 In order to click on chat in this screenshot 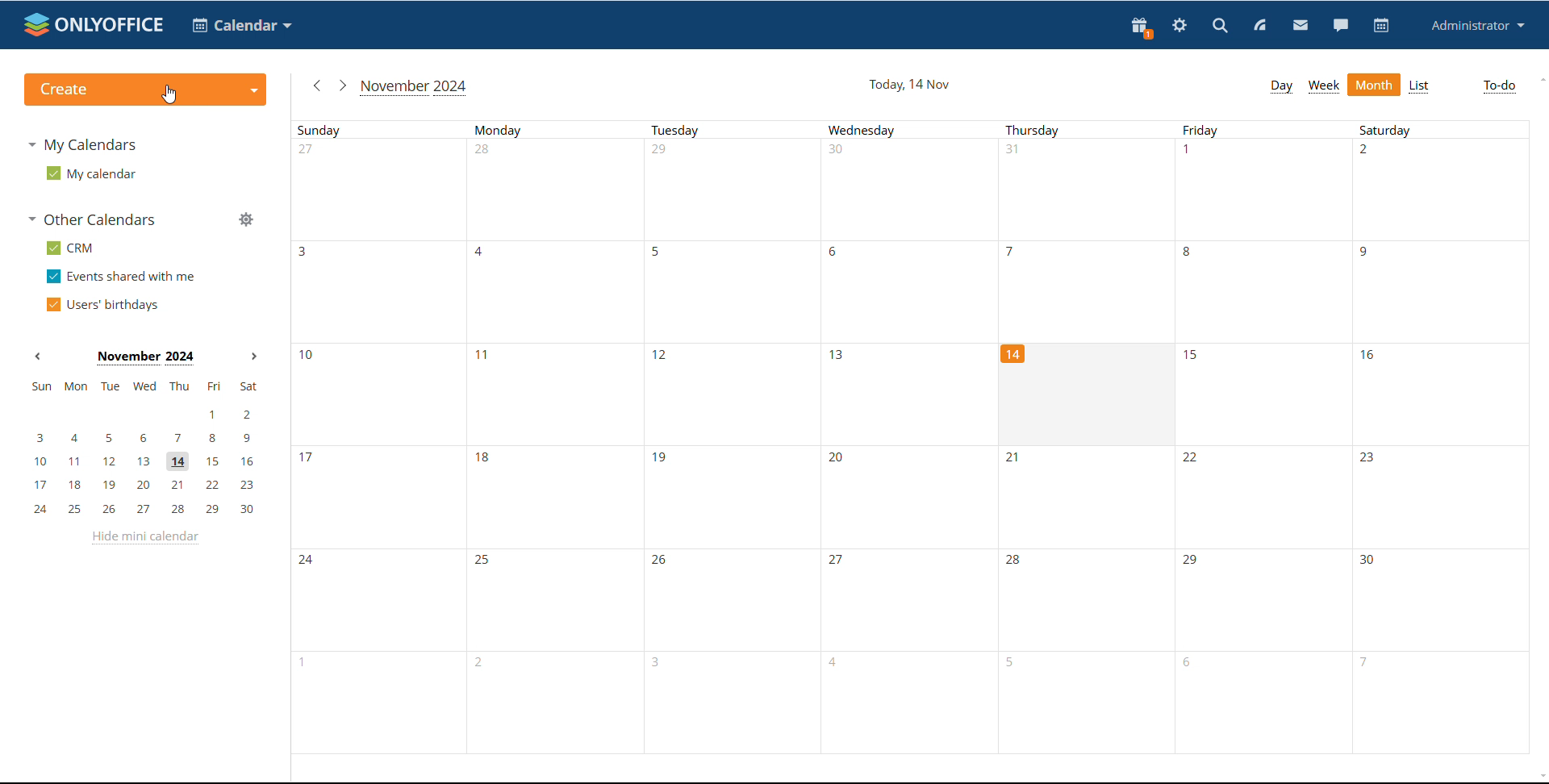, I will do `click(1341, 26)`.